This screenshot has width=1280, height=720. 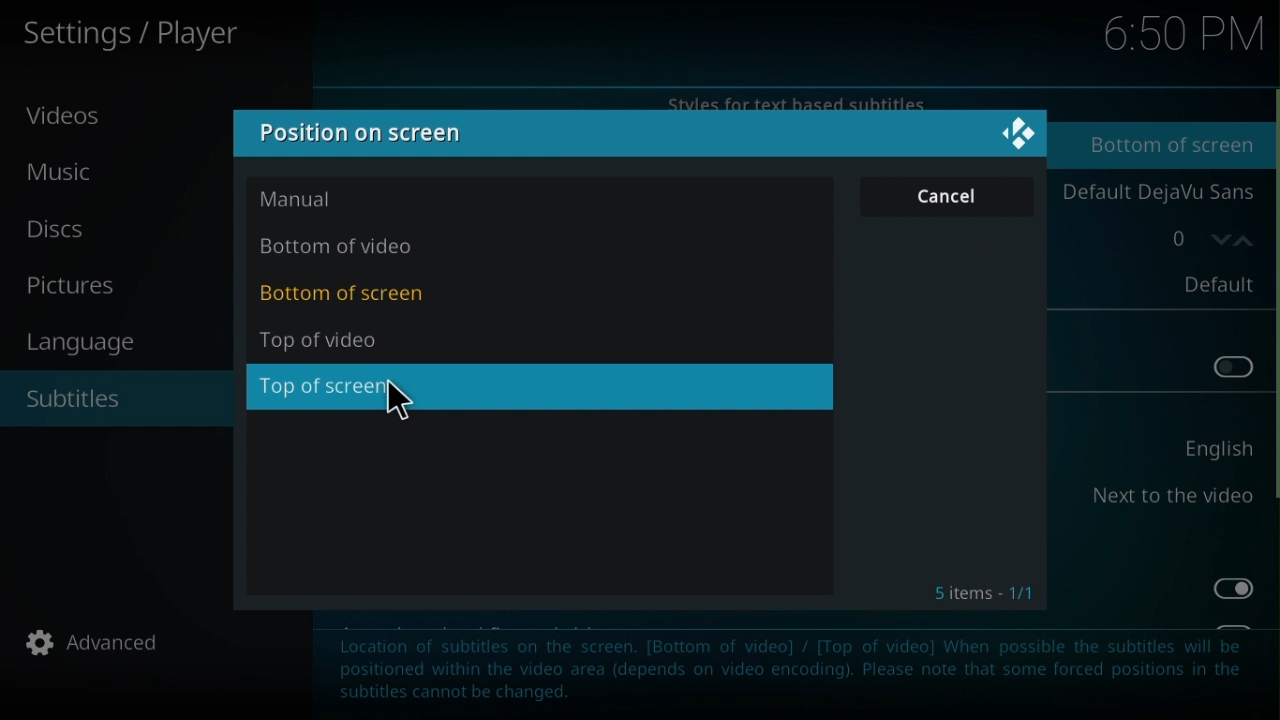 What do you see at coordinates (1007, 134) in the screenshot?
I see `Logo` at bounding box center [1007, 134].